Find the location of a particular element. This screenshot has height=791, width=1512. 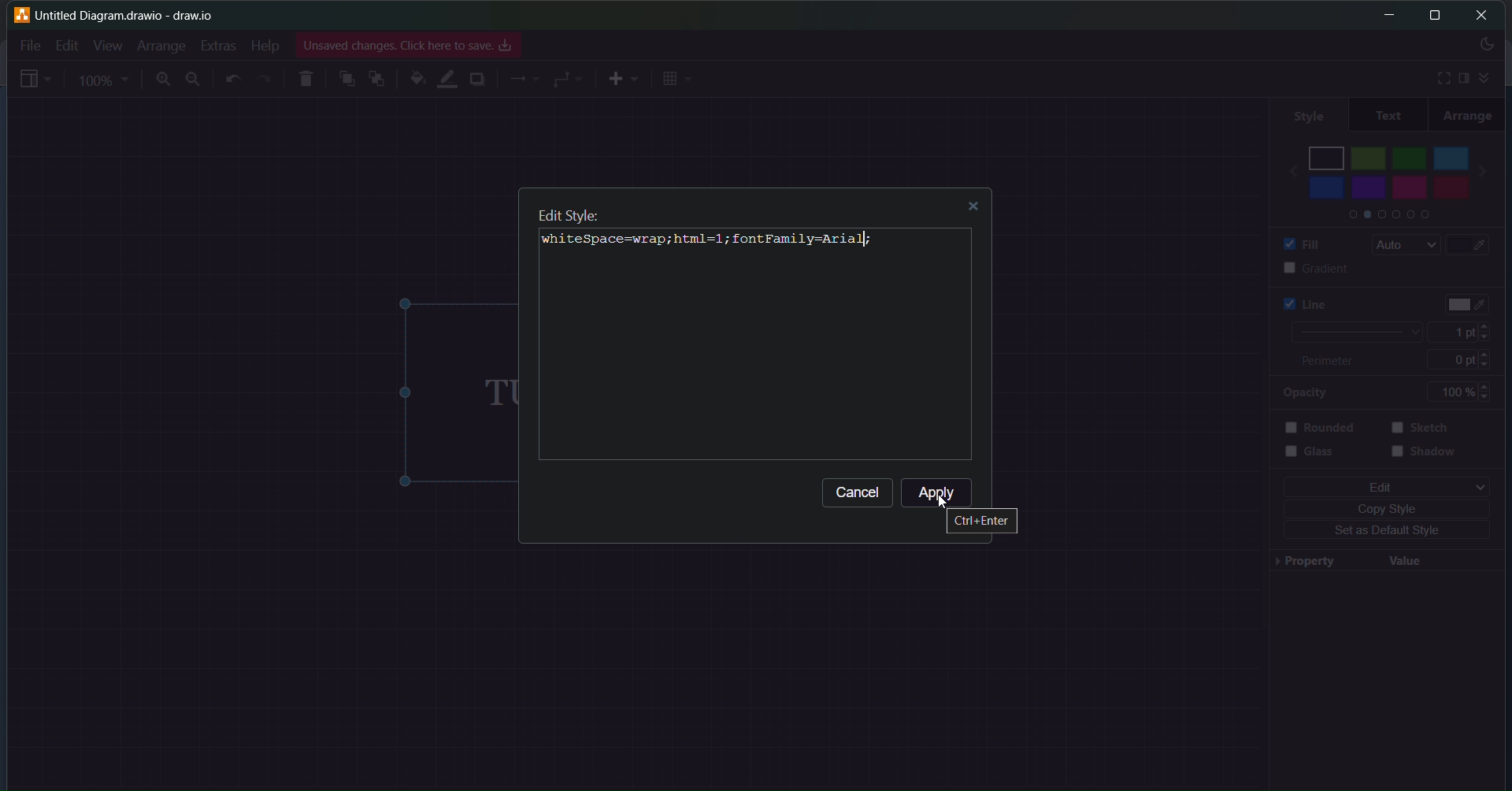

shadow is located at coordinates (478, 81).